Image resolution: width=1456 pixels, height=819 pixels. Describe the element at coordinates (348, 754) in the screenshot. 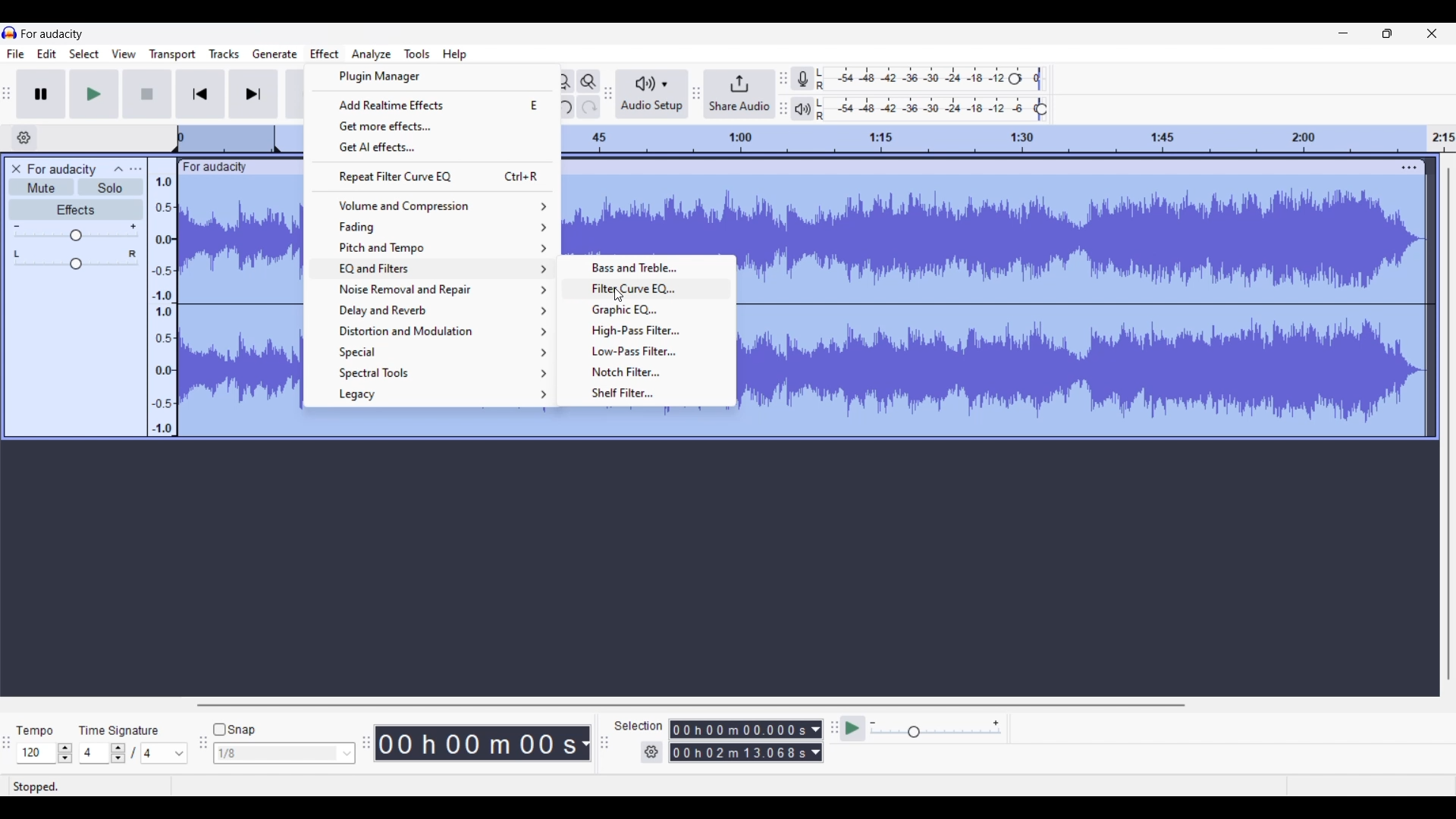

I see `Snap option` at that location.